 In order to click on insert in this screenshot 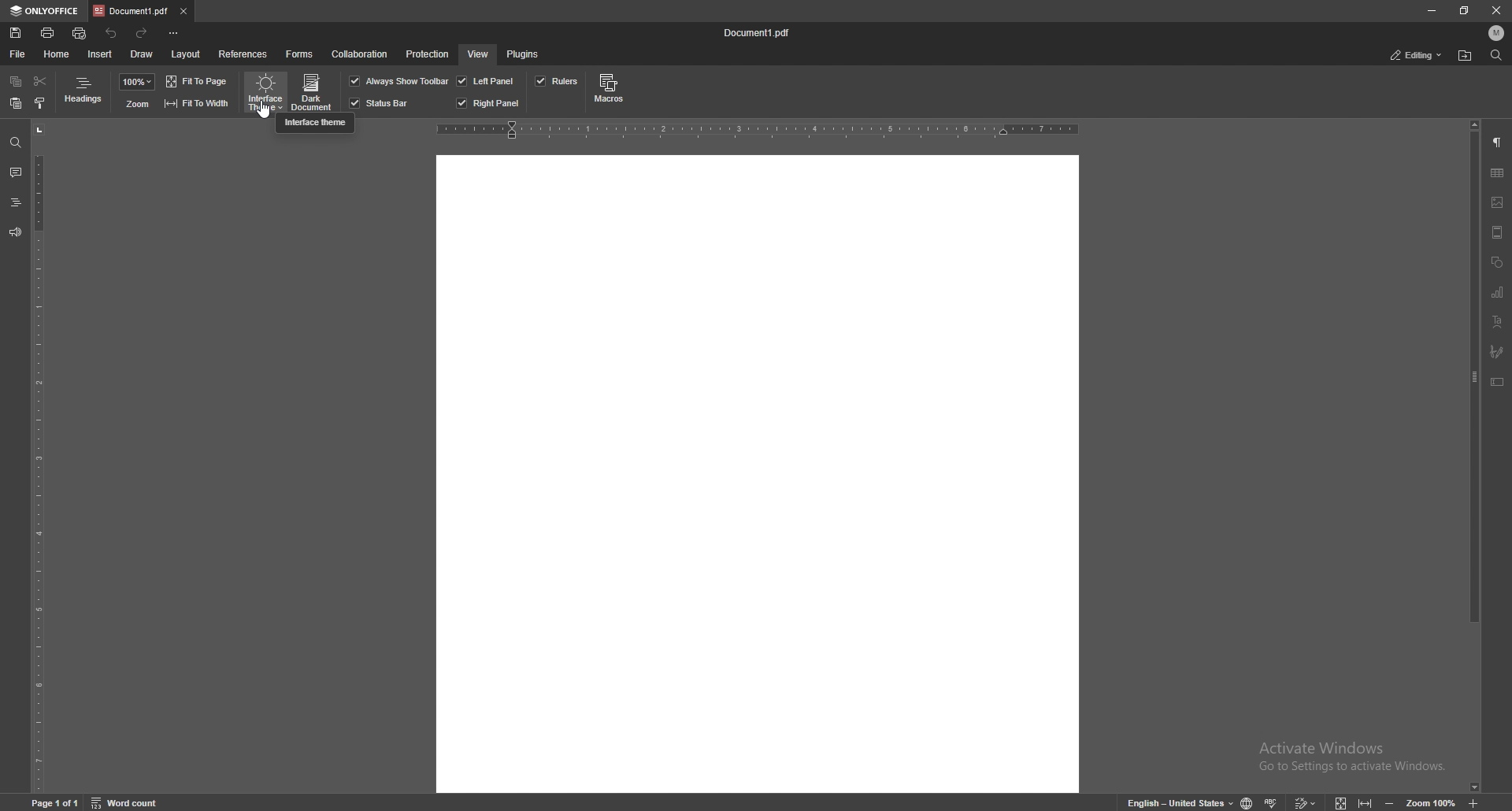, I will do `click(100, 54)`.